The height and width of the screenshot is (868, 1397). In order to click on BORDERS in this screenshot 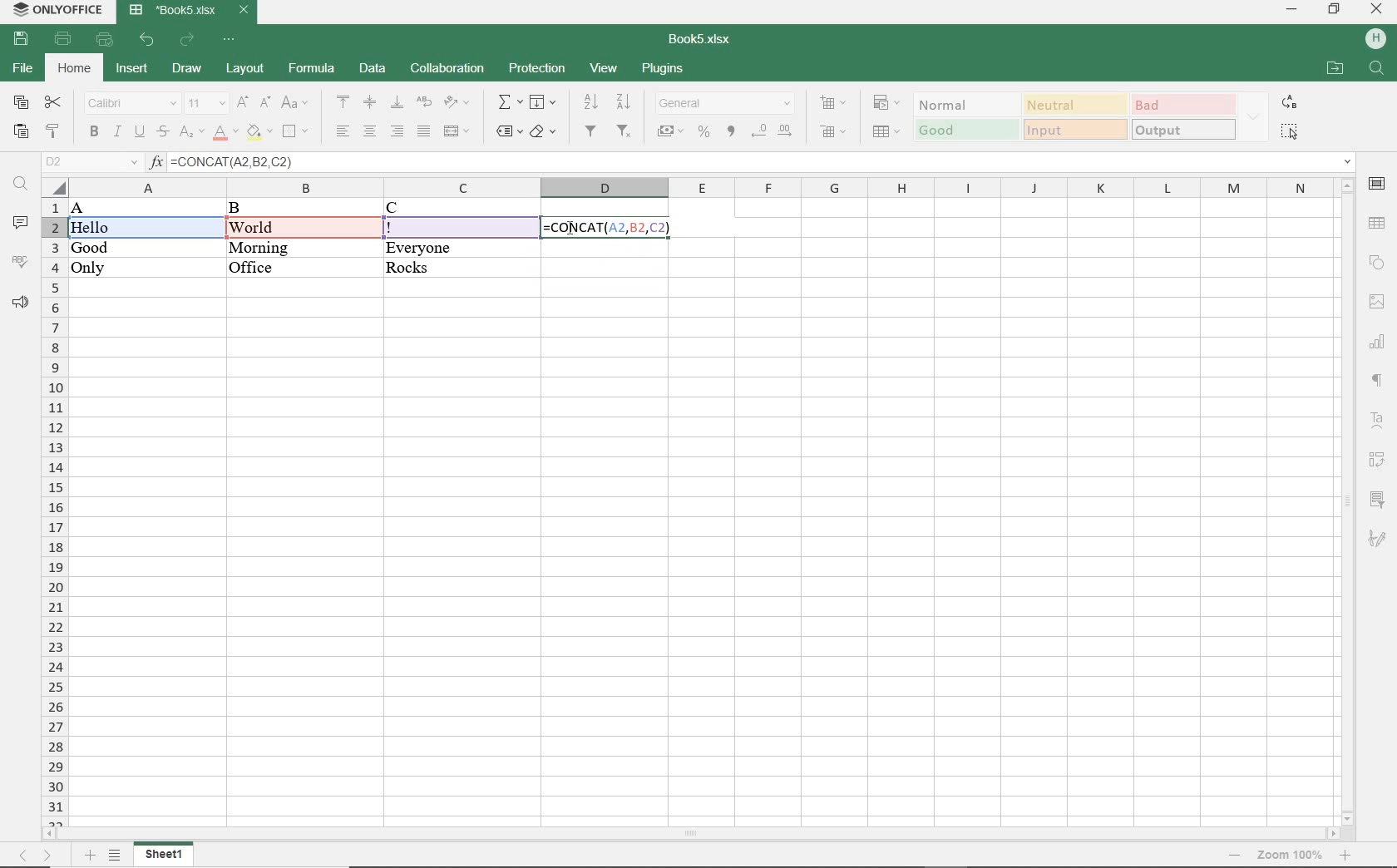, I will do `click(295, 131)`.